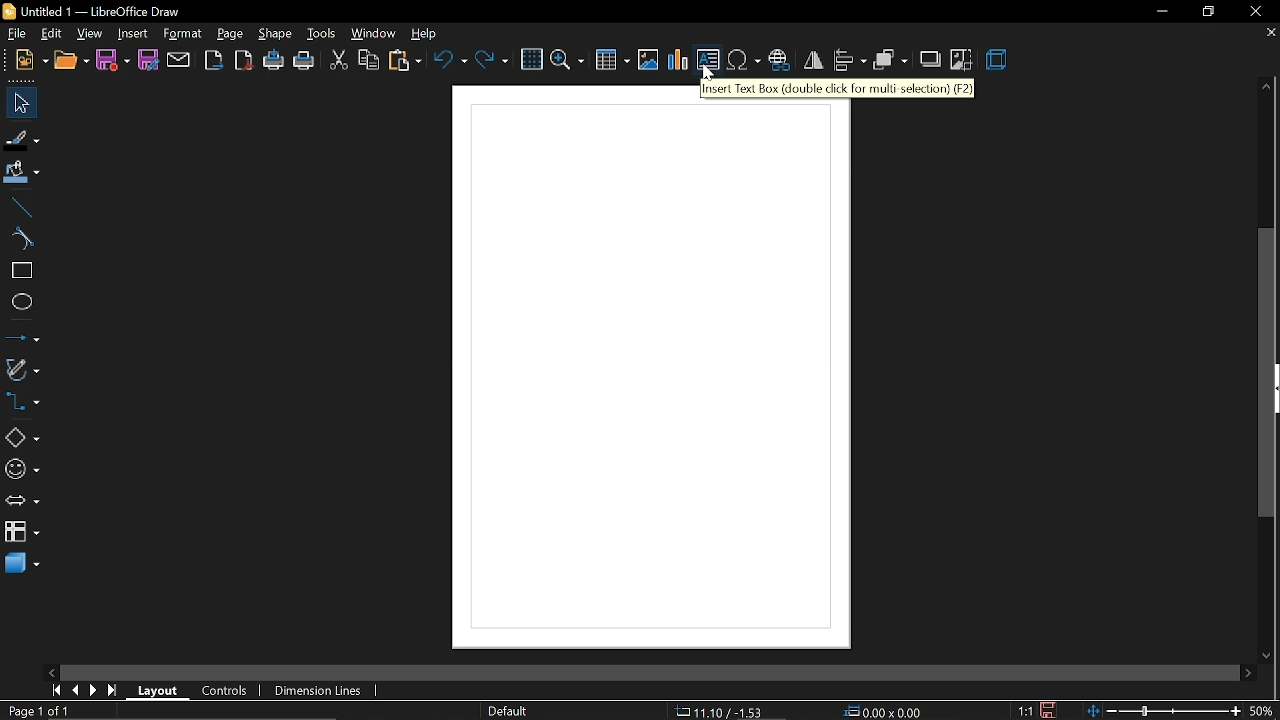 Image resolution: width=1280 pixels, height=720 pixels. What do you see at coordinates (369, 62) in the screenshot?
I see `copy` at bounding box center [369, 62].